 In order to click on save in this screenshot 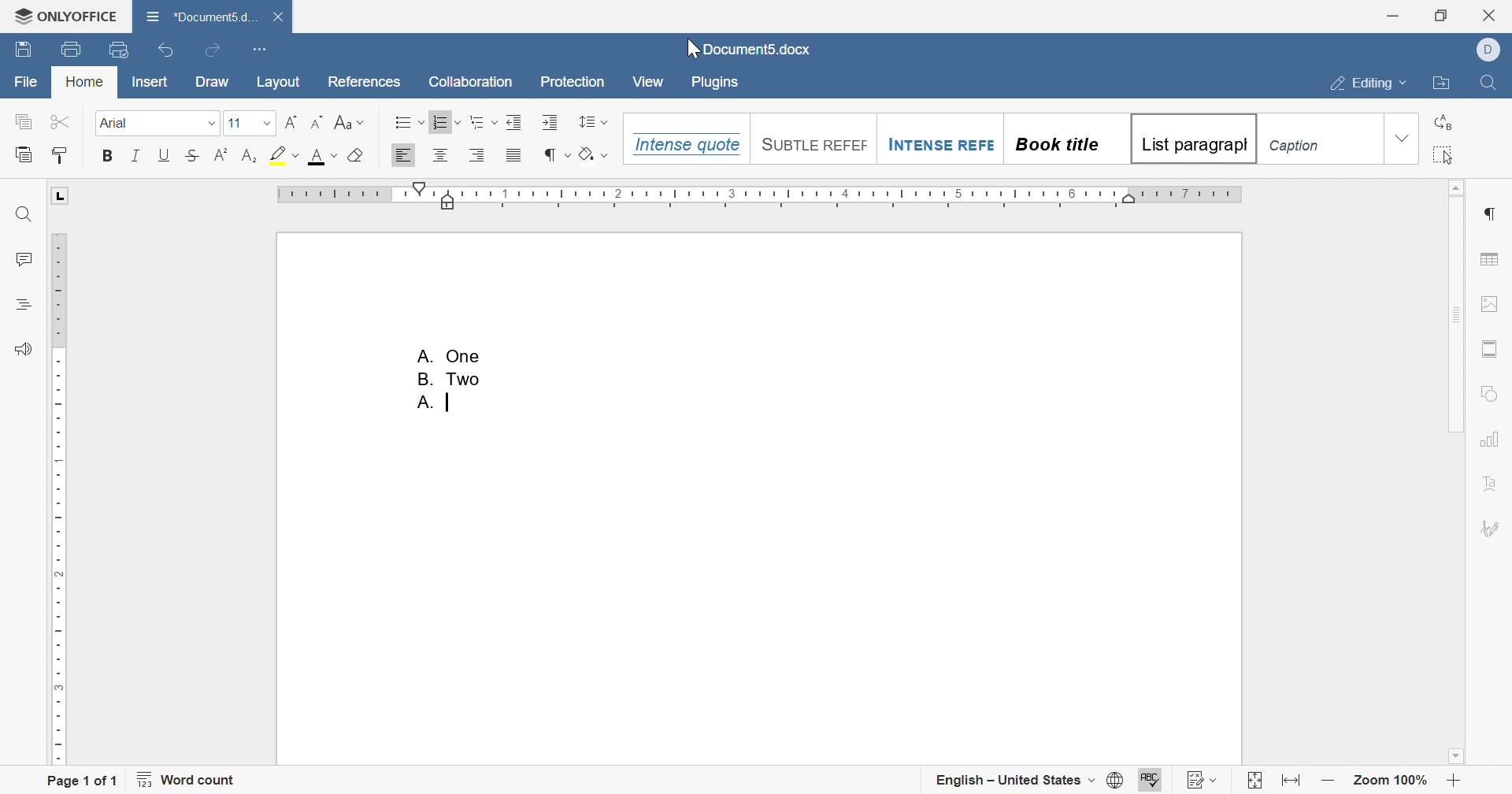, I will do `click(26, 50)`.